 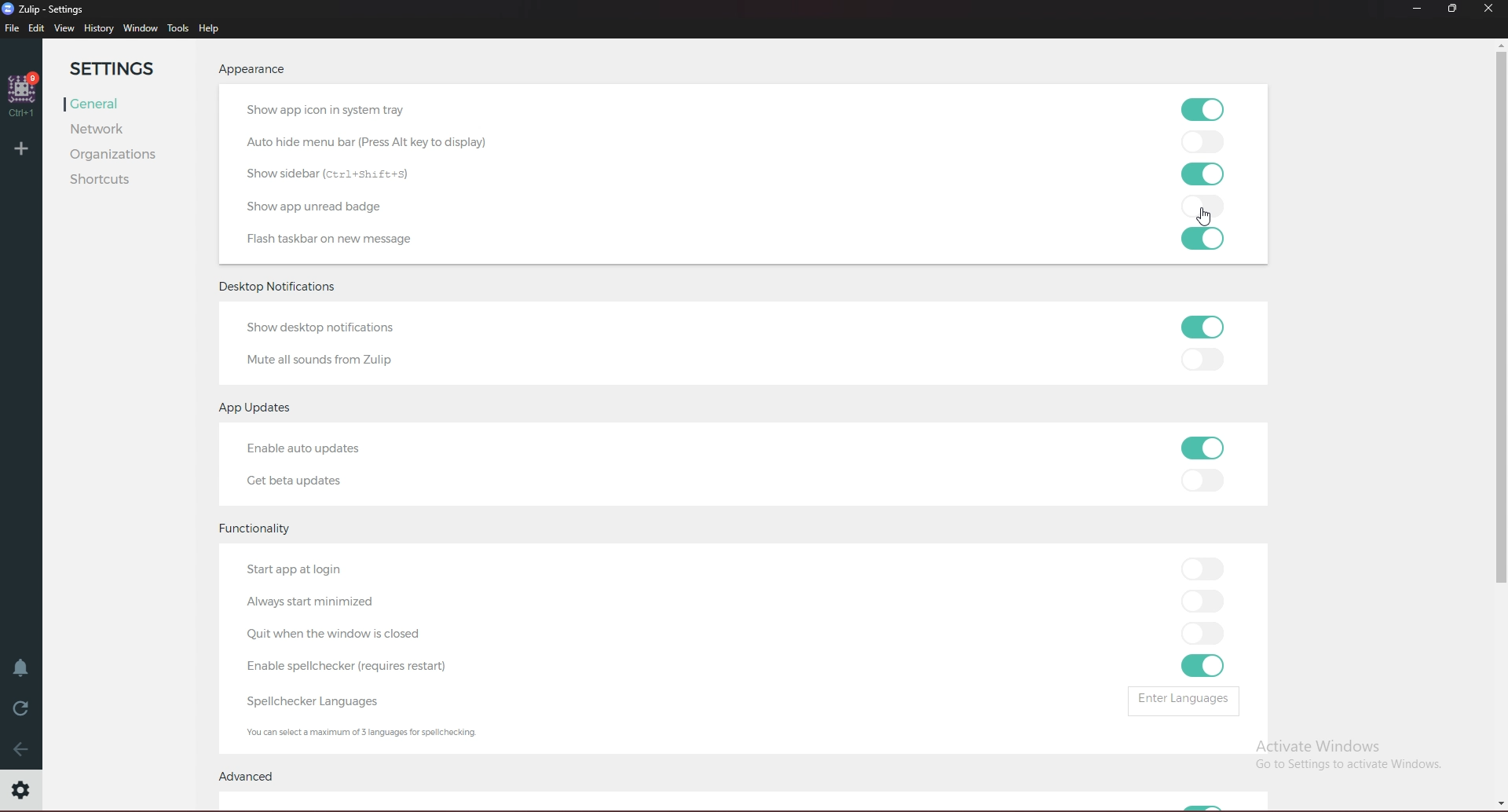 I want to click on home, so click(x=24, y=96).